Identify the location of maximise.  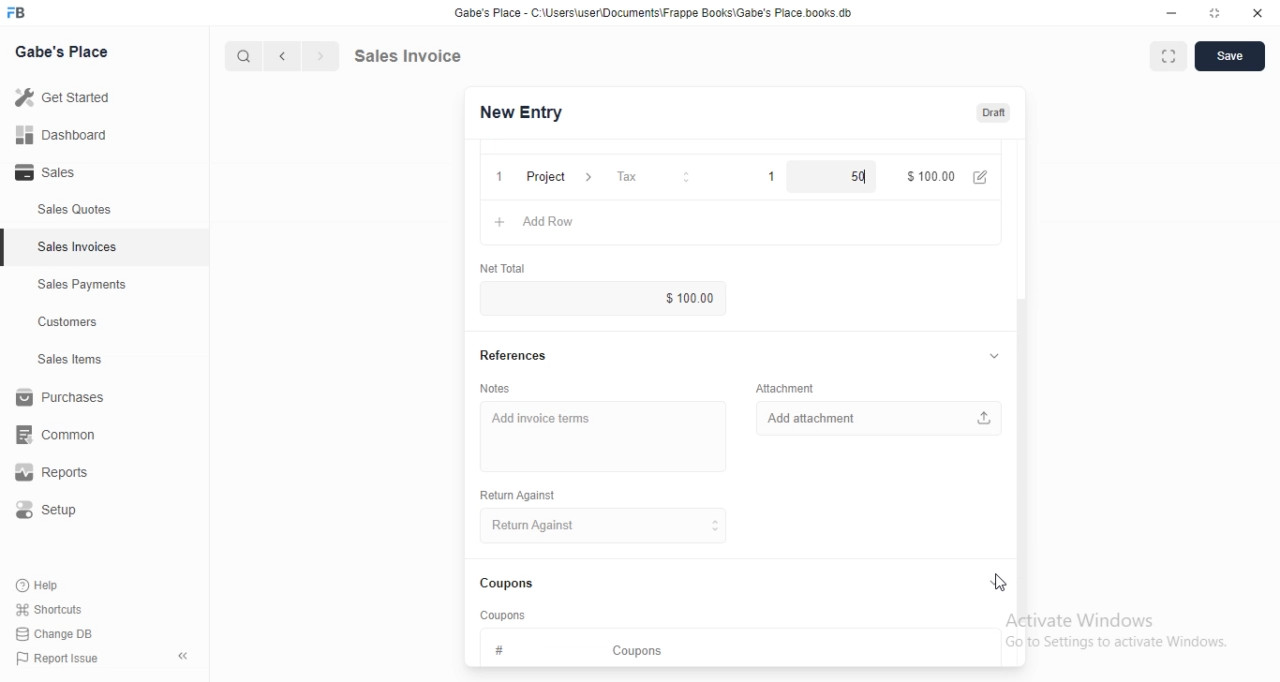
(1163, 54).